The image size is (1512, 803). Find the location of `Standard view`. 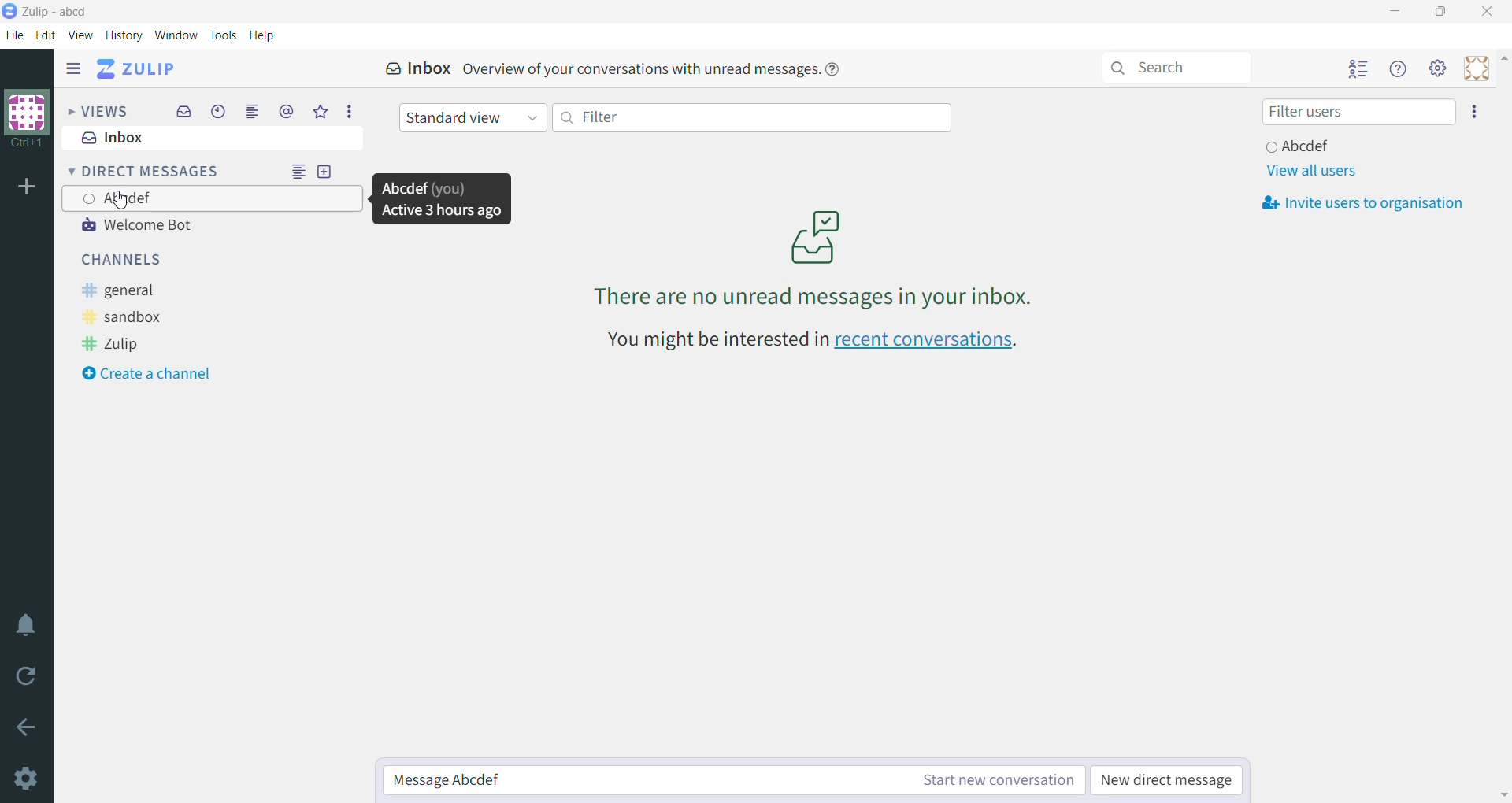

Standard view is located at coordinates (475, 117).